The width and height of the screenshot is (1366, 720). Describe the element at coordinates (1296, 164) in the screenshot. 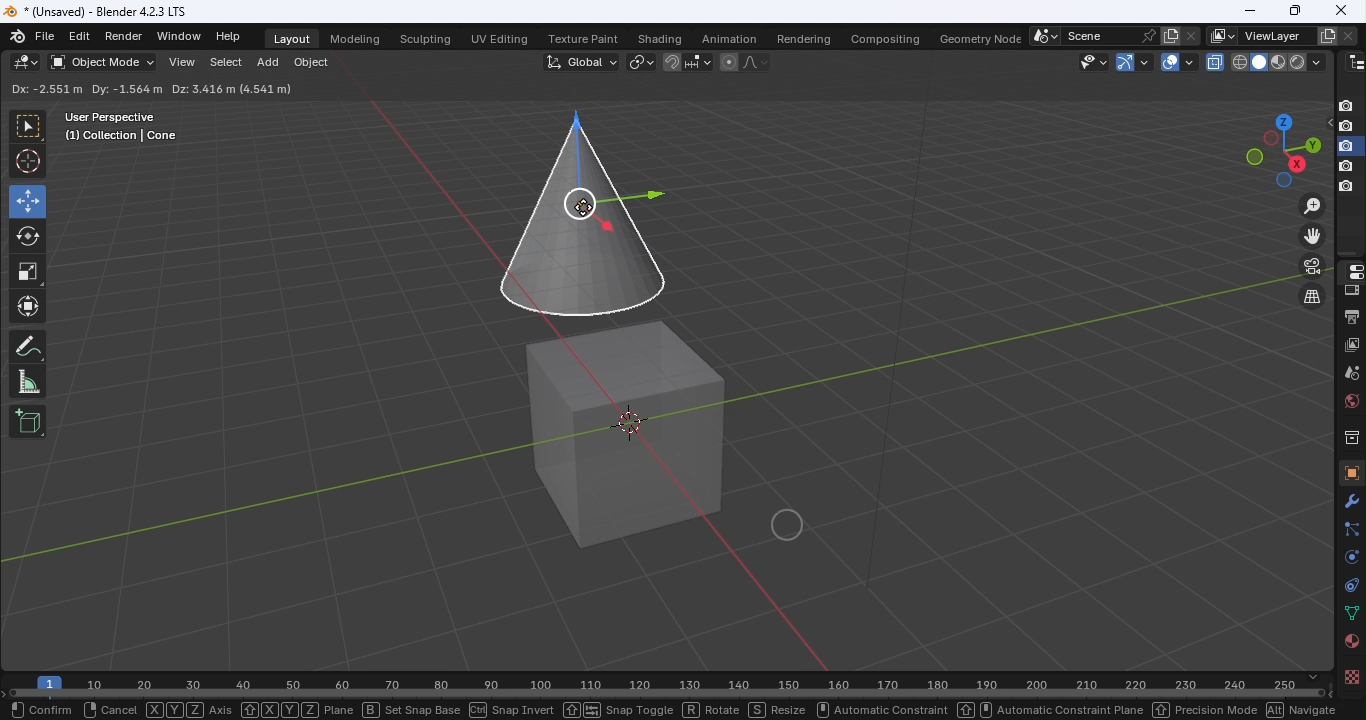

I see `Rotate the view` at that location.